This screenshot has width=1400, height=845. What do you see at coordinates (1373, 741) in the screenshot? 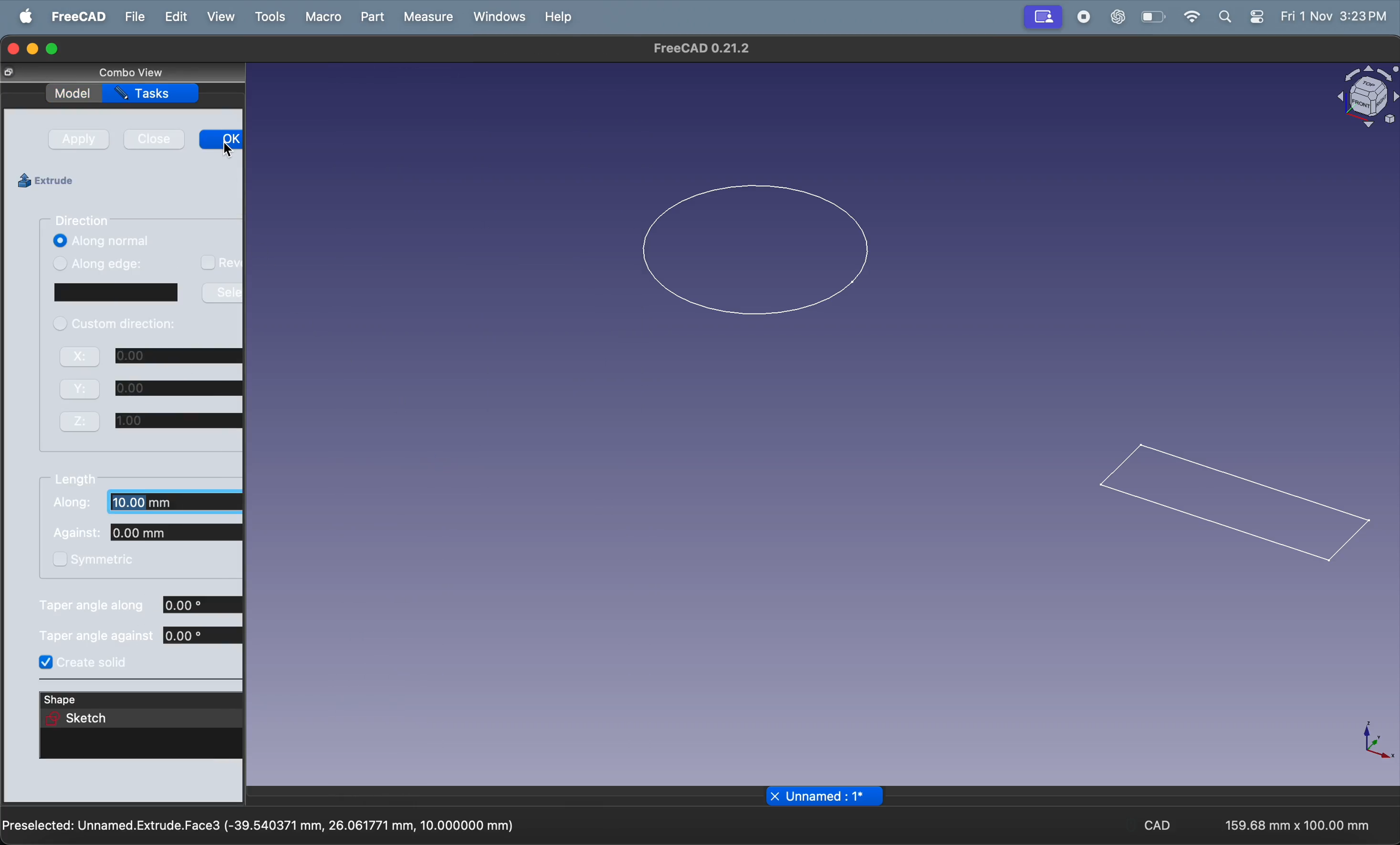
I see `axis` at bounding box center [1373, 741].